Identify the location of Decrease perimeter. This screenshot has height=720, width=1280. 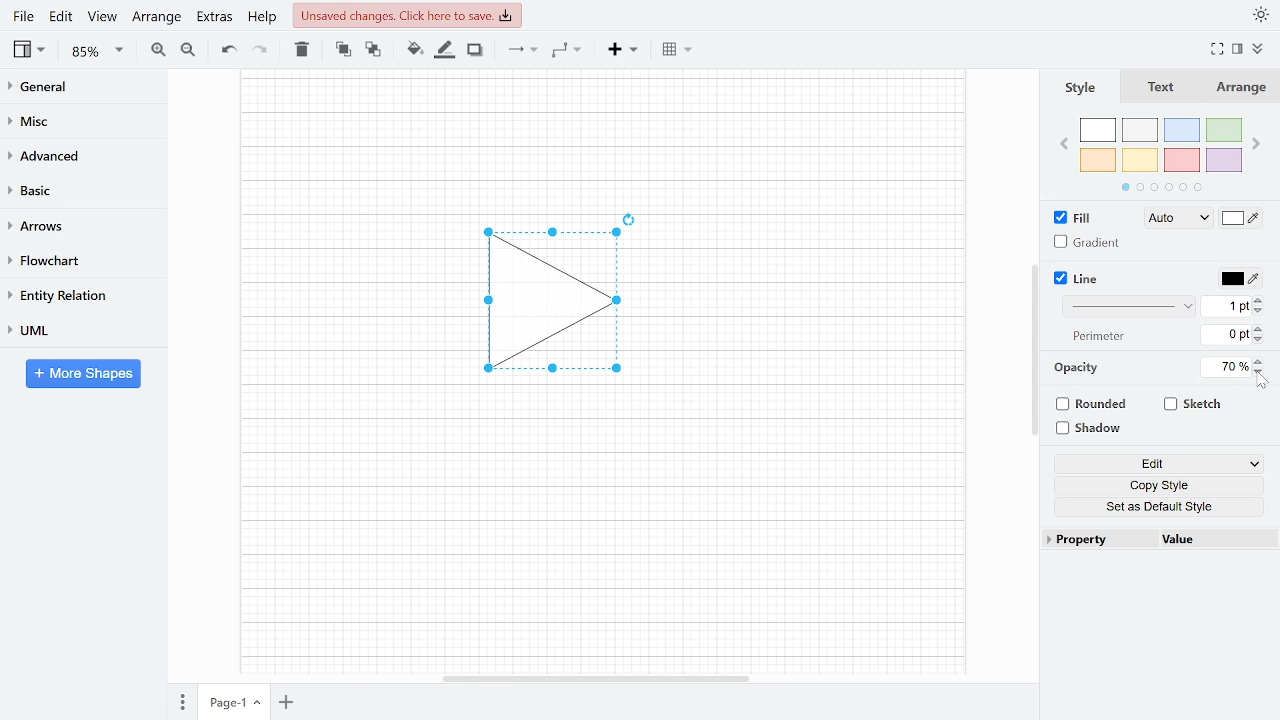
(1260, 341).